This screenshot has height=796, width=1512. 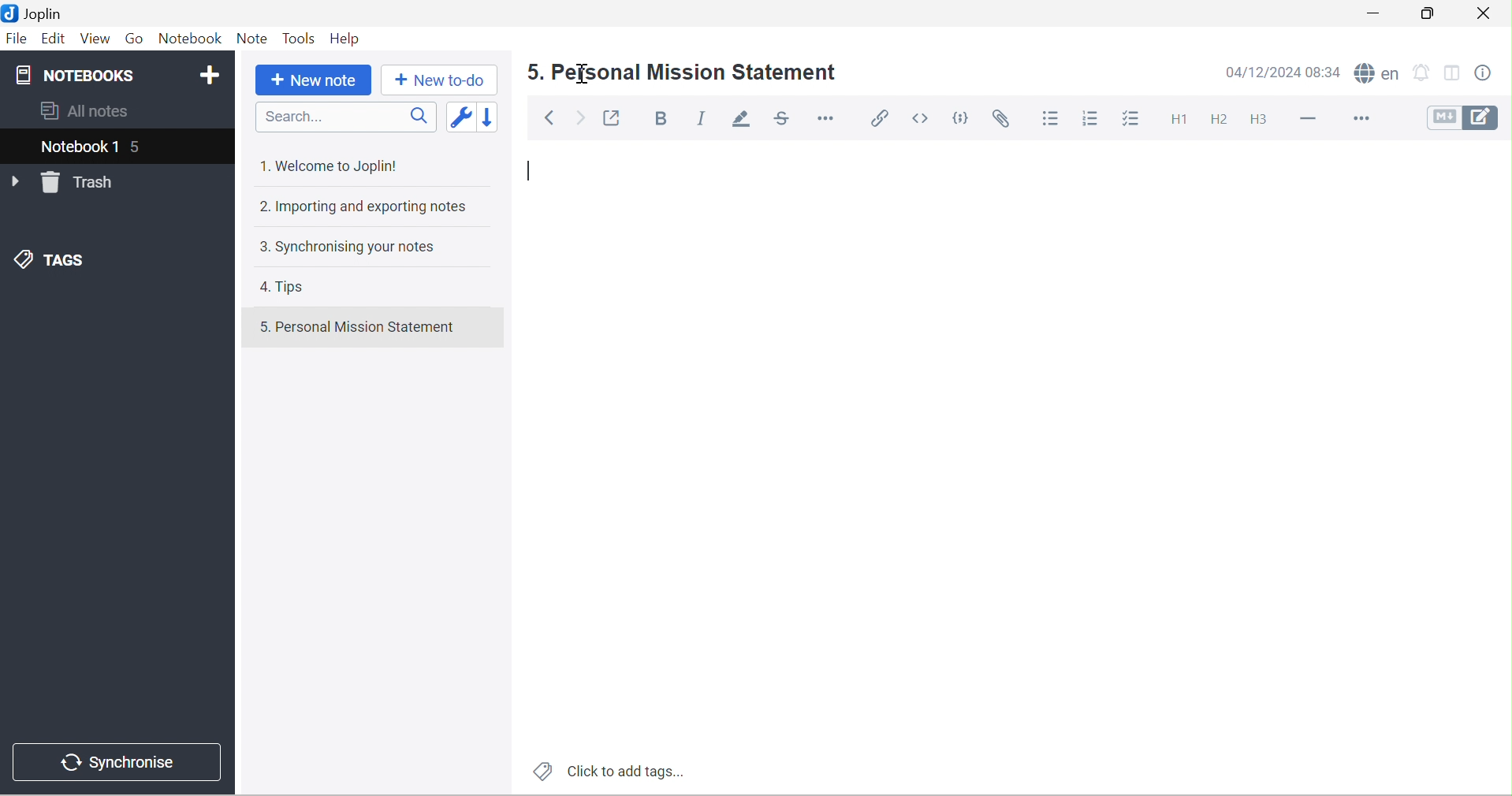 I want to click on 4. Tips, so click(x=281, y=287).